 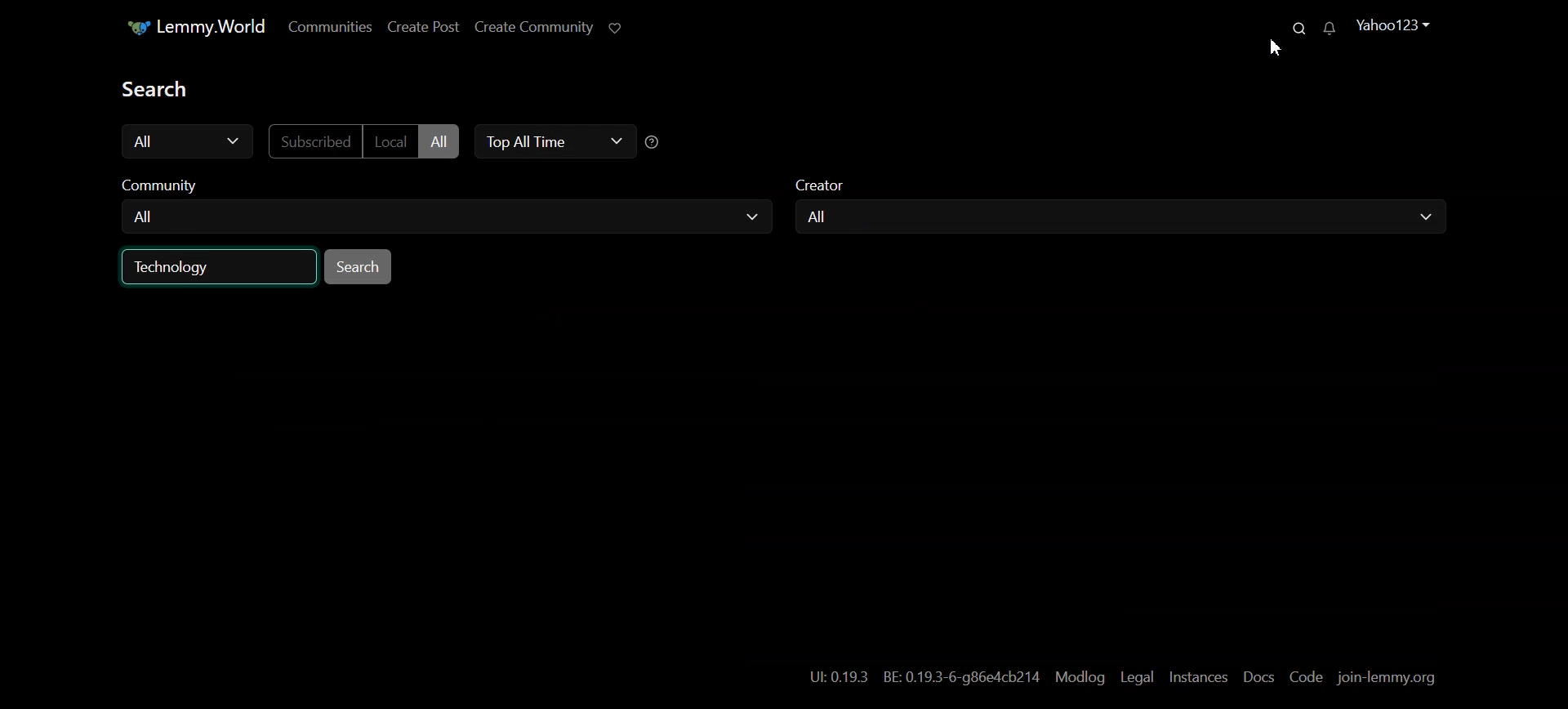 What do you see at coordinates (536, 26) in the screenshot?
I see `Create Community ` at bounding box center [536, 26].